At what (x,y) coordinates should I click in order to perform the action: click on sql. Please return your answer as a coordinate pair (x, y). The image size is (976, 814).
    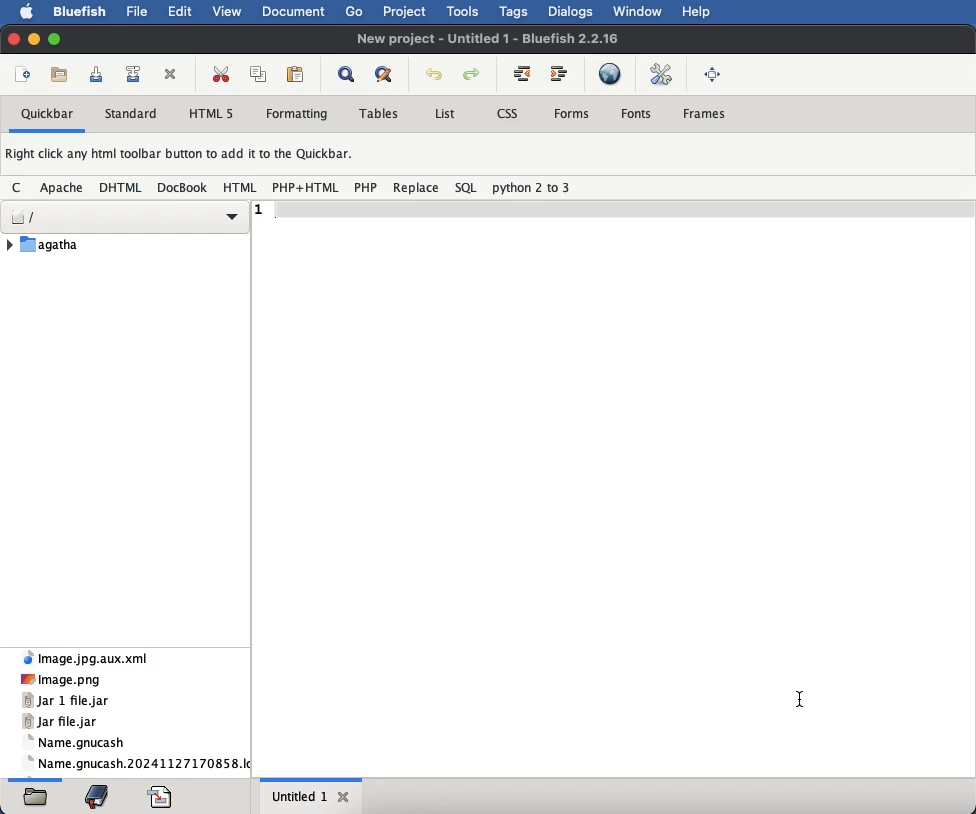
    Looking at the image, I should click on (466, 187).